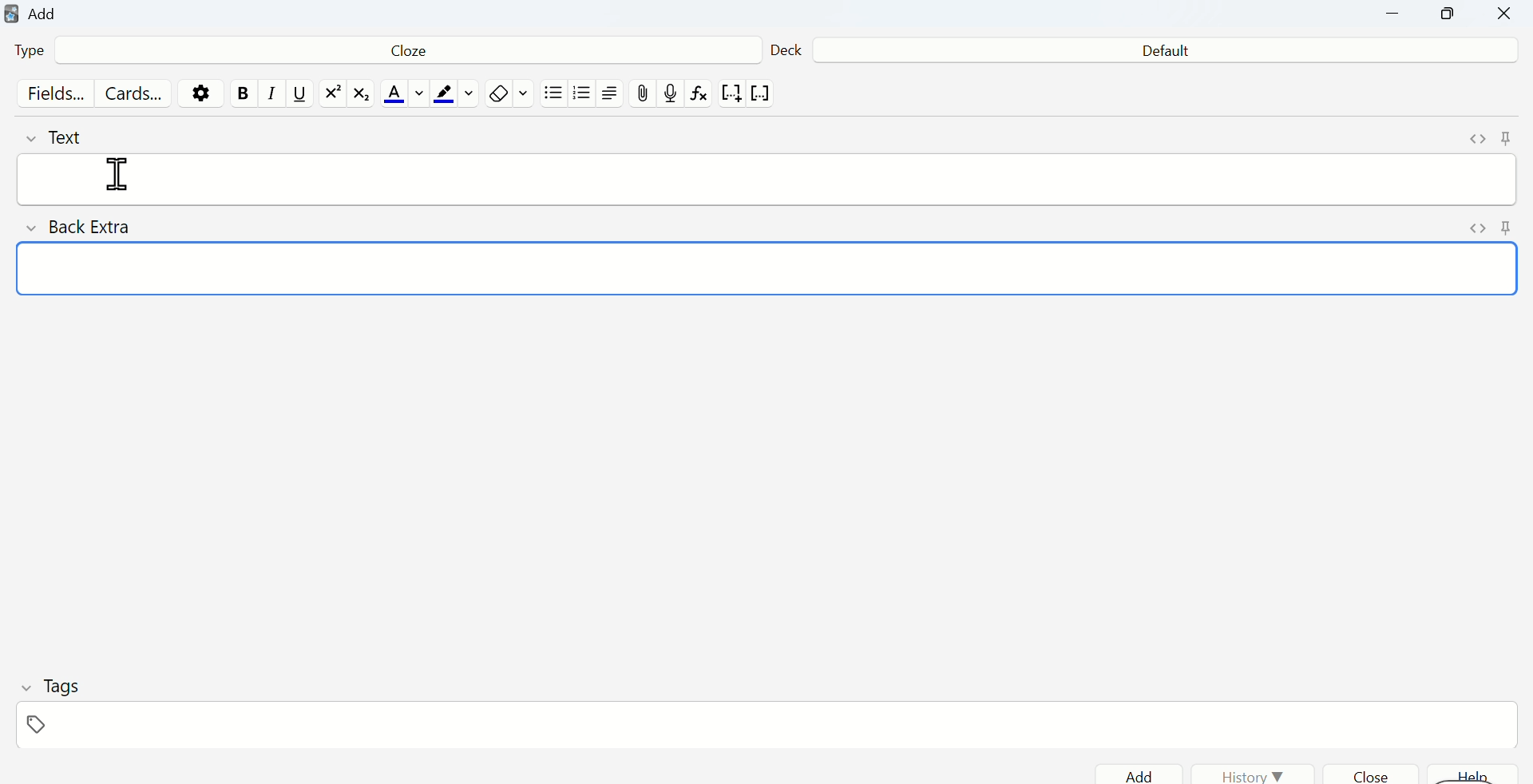 This screenshot has height=784, width=1533. Describe the element at coordinates (509, 94) in the screenshot. I see `Eraser` at that location.